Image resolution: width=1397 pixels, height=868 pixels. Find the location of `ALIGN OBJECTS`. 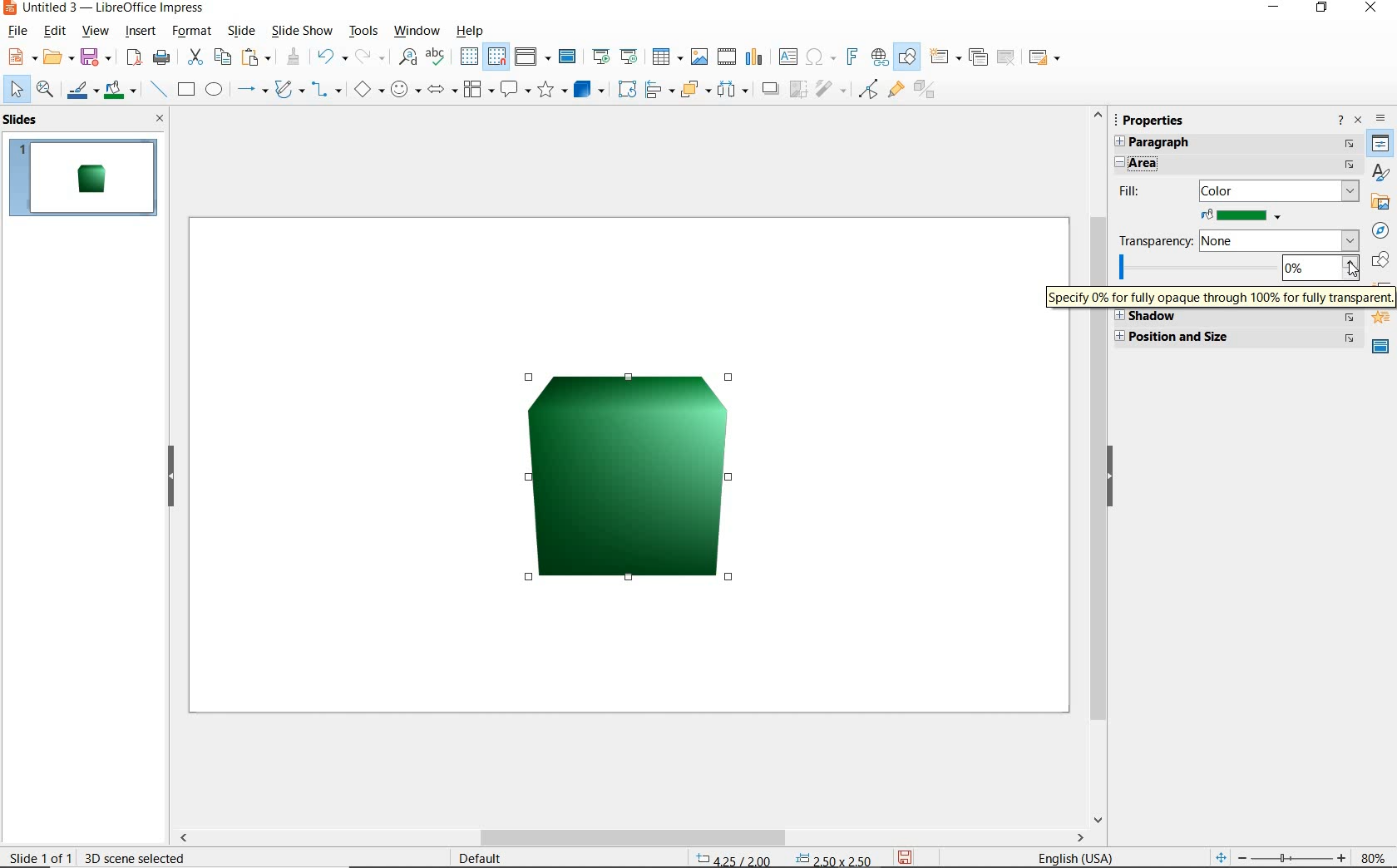

ALIGN OBJECTS is located at coordinates (659, 91).